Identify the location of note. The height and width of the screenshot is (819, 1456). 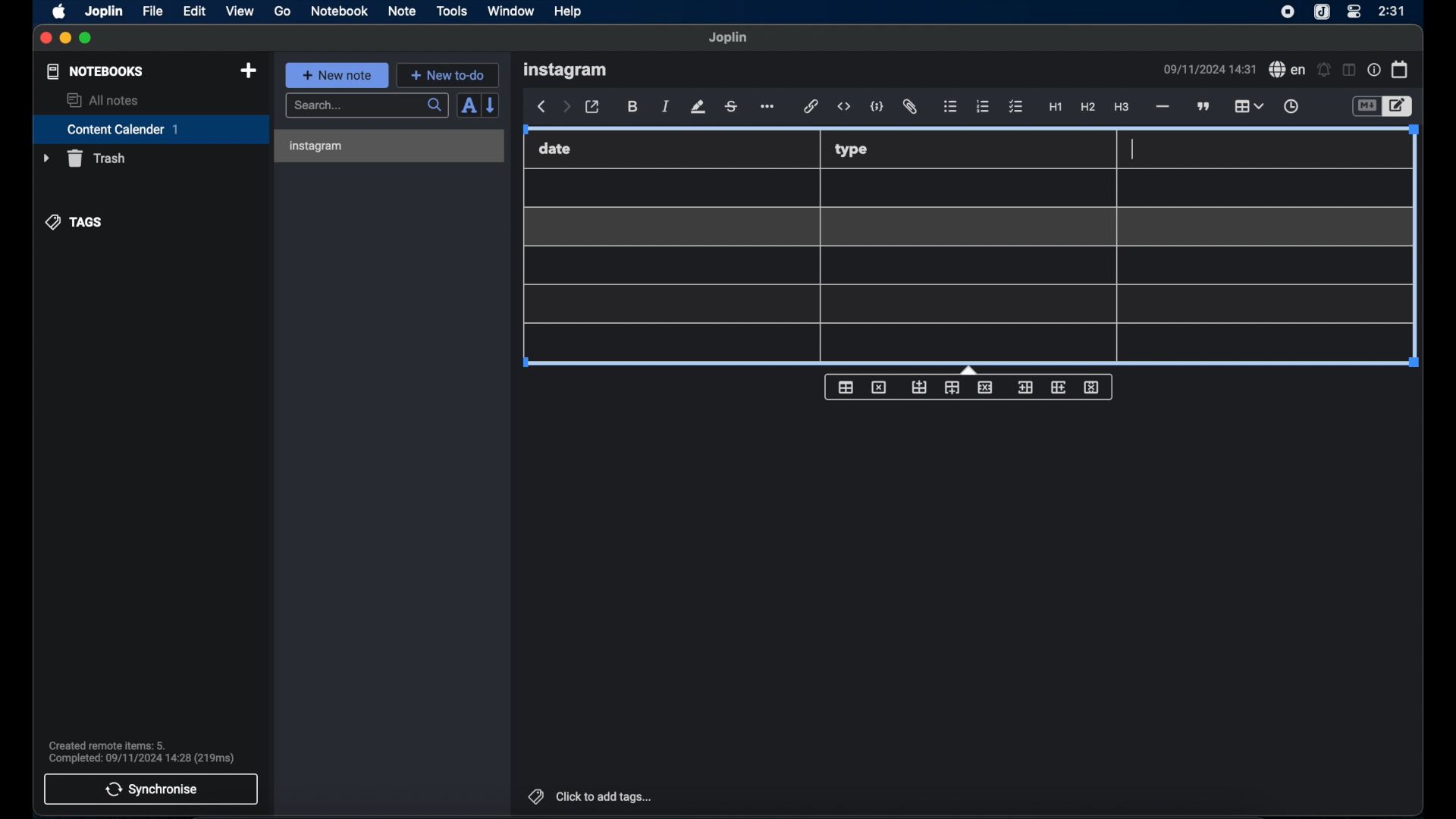
(402, 12).